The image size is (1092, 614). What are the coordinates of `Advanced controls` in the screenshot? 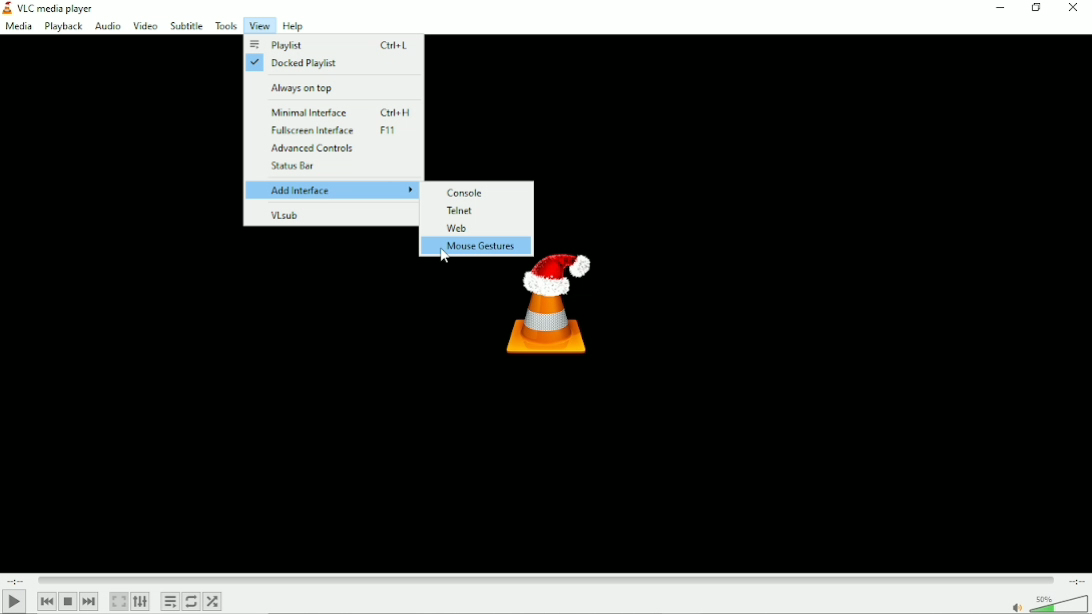 It's located at (333, 149).